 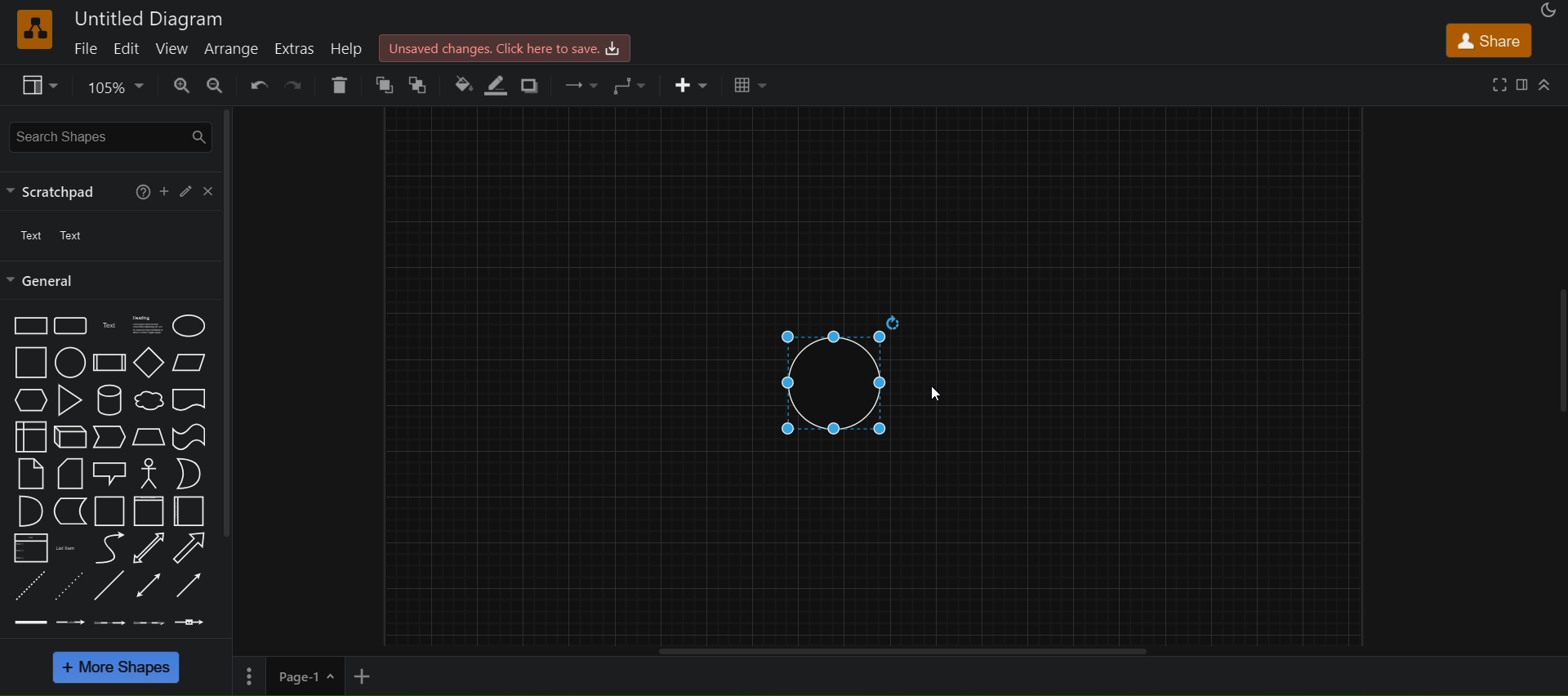 I want to click on table, so click(x=751, y=86).